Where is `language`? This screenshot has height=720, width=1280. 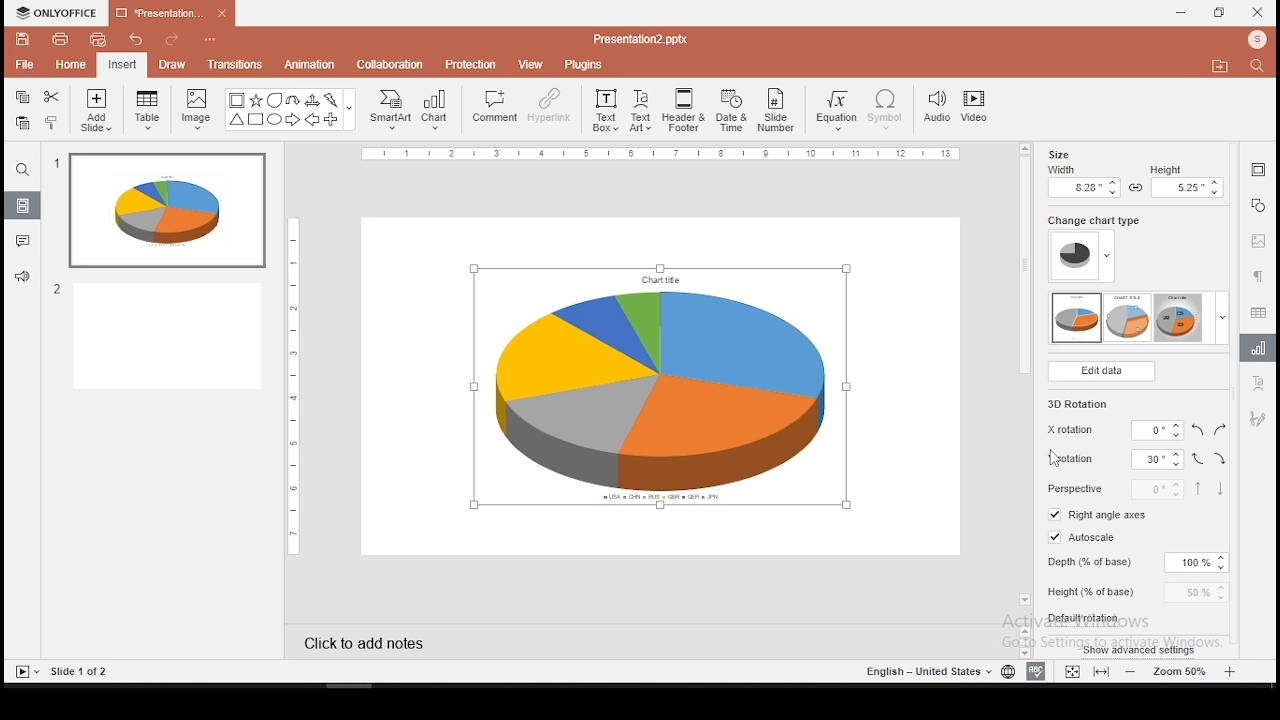
language is located at coordinates (1004, 669).